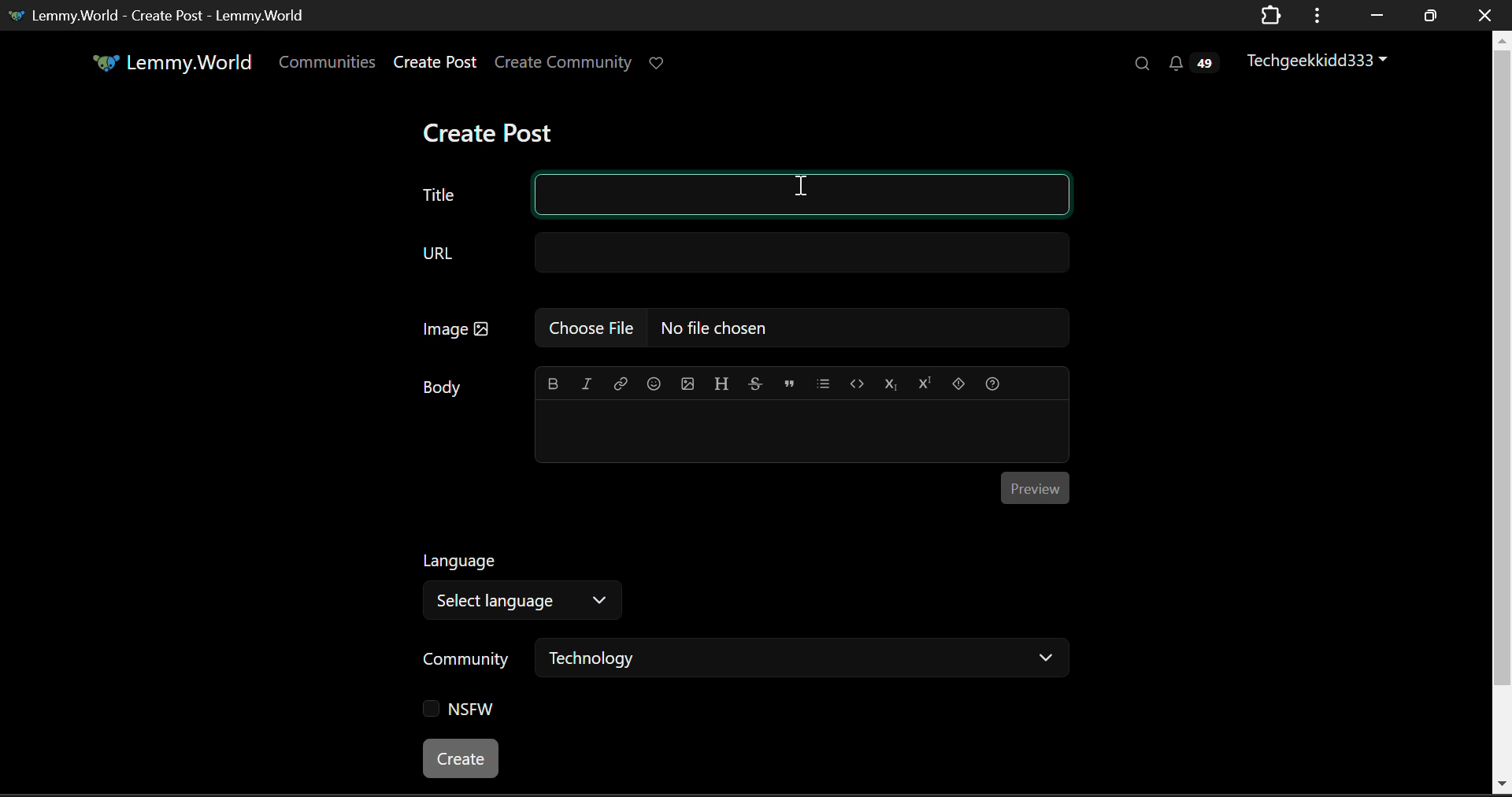 This screenshot has width=1512, height=797. What do you see at coordinates (440, 191) in the screenshot?
I see `Post Title Textbox Field` at bounding box center [440, 191].